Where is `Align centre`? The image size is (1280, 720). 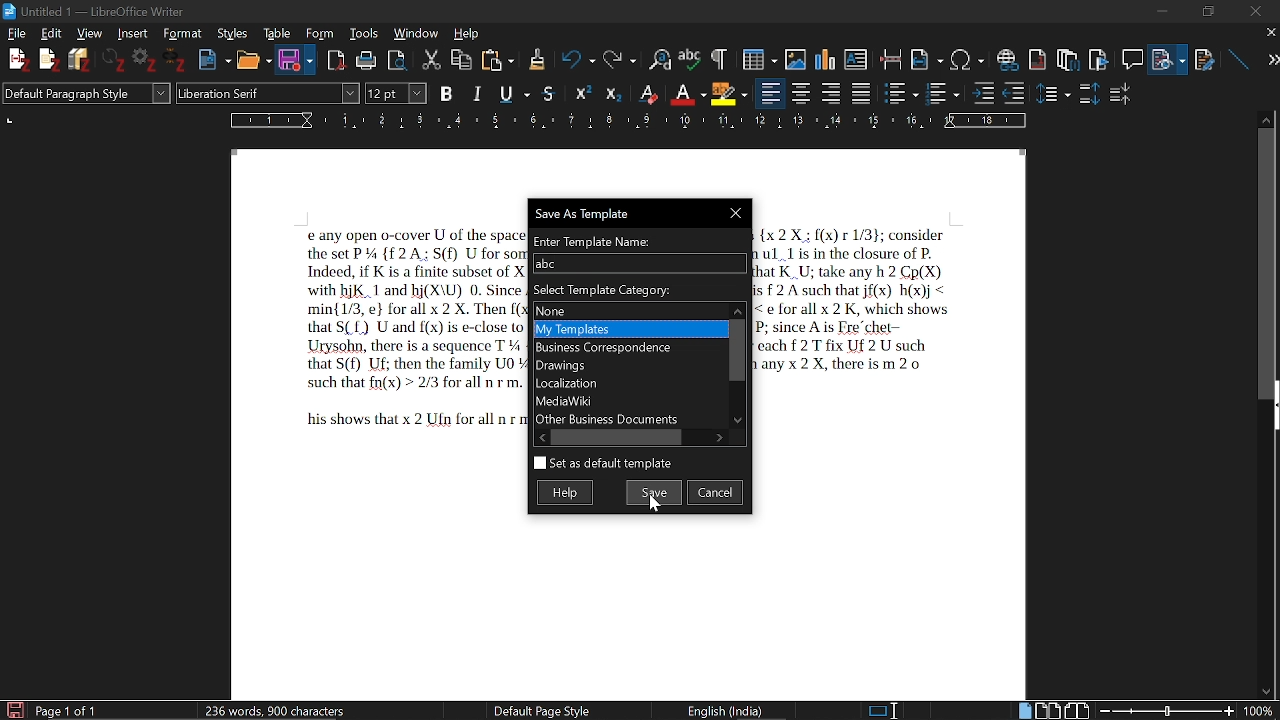
Align centre is located at coordinates (803, 92).